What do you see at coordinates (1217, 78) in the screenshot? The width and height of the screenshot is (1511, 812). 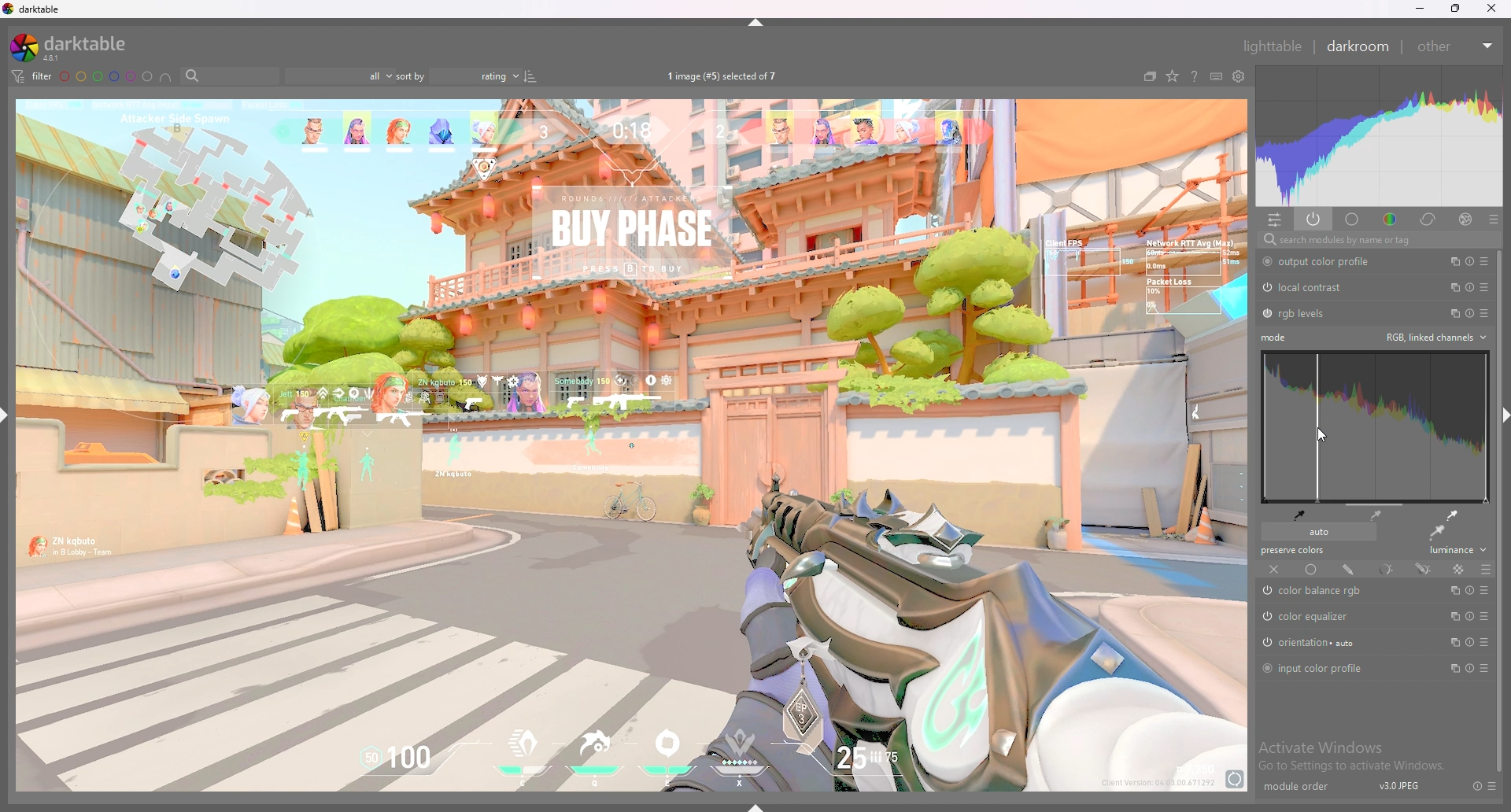 I see `keyboard shortcuts` at bounding box center [1217, 78].